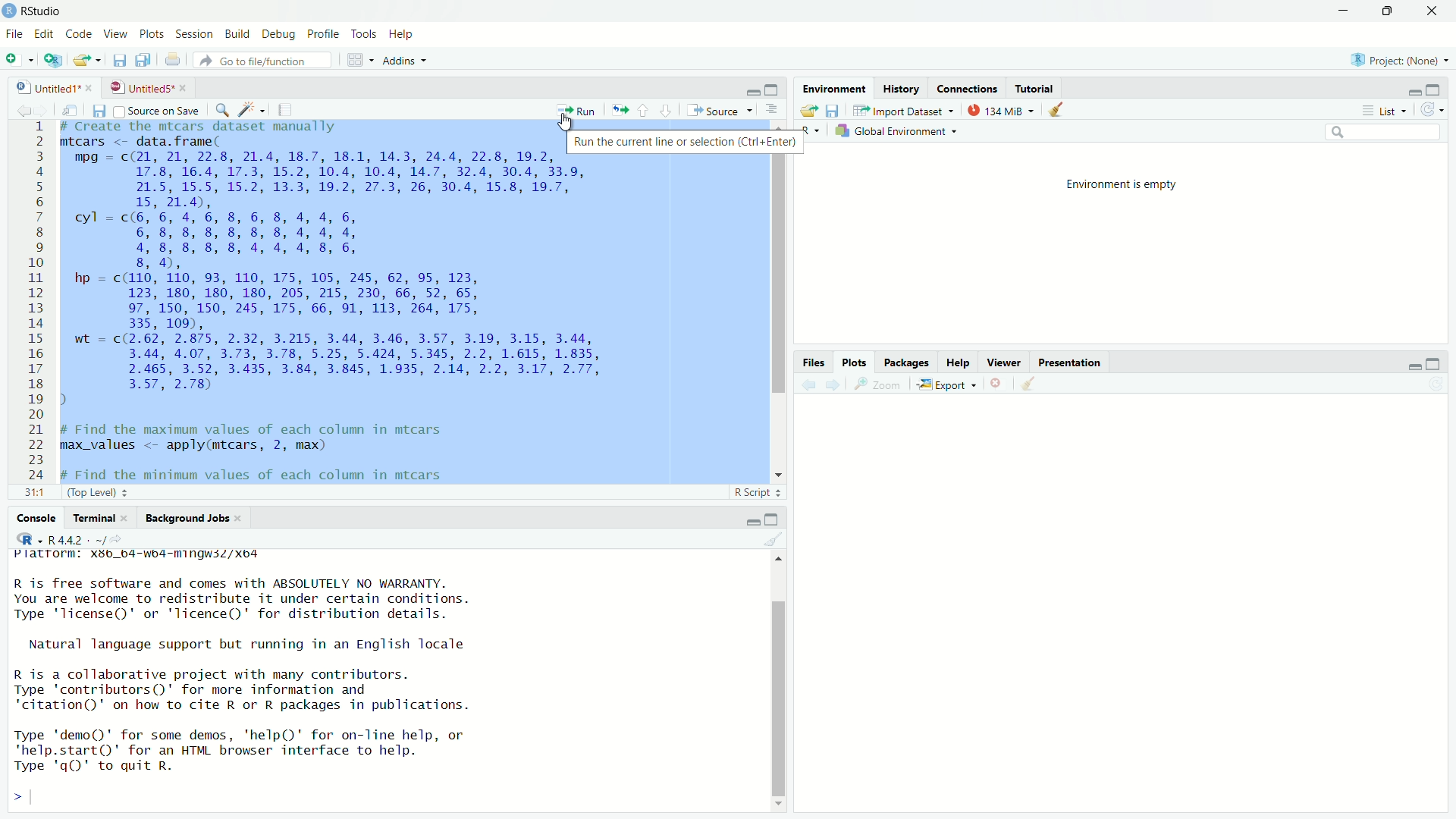 This screenshot has width=1456, height=819. Describe the element at coordinates (93, 519) in the screenshot. I see `Terminal` at that location.